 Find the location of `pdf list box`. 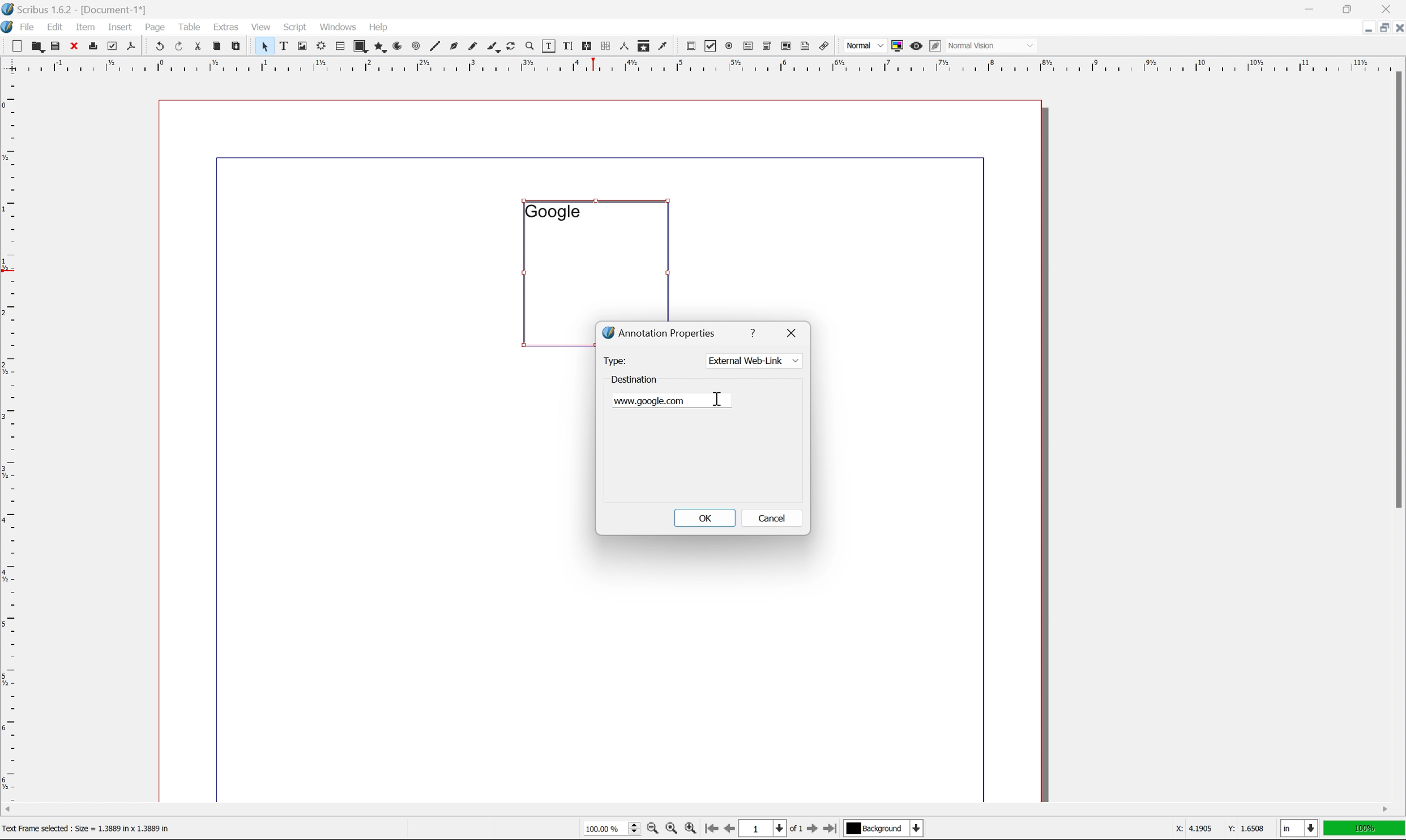

pdf list box is located at coordinates (785, 48).